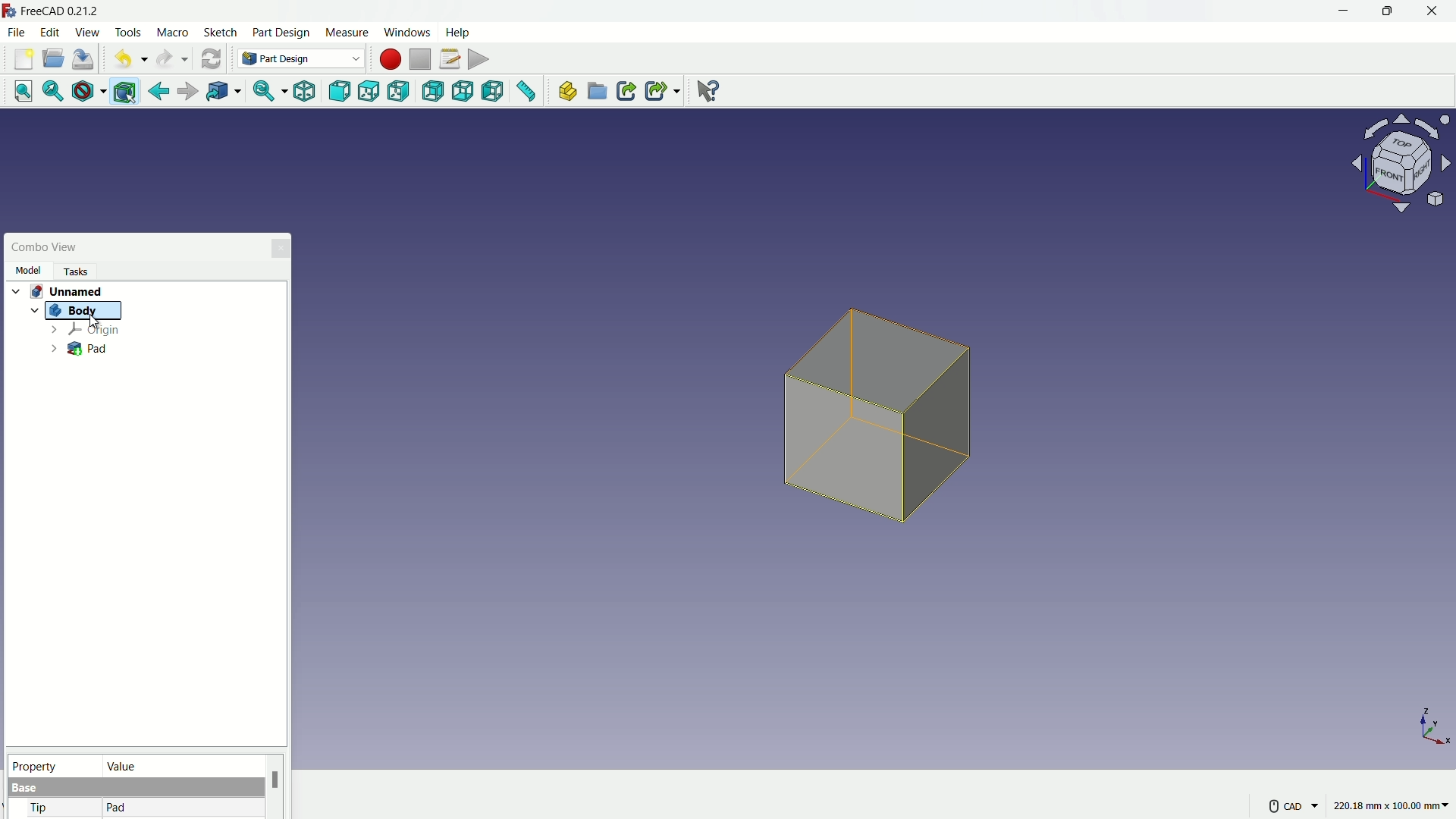 The height and width of the screenshot is (819, 1456). I want to click on windows, so click(406, 32).